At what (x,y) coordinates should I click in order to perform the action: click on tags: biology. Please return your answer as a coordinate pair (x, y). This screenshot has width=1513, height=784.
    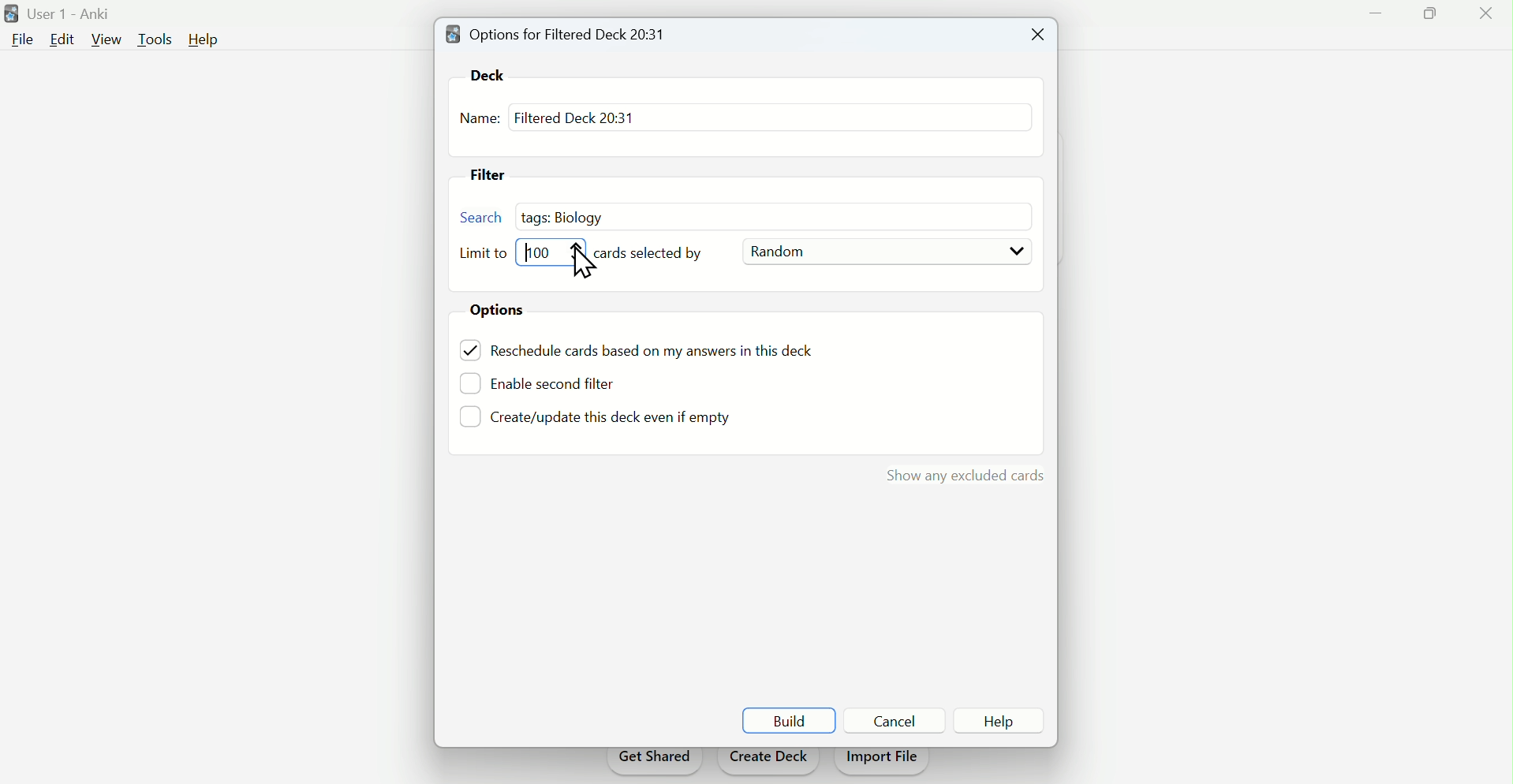
    Looking at the image, I should click on (569, 215).